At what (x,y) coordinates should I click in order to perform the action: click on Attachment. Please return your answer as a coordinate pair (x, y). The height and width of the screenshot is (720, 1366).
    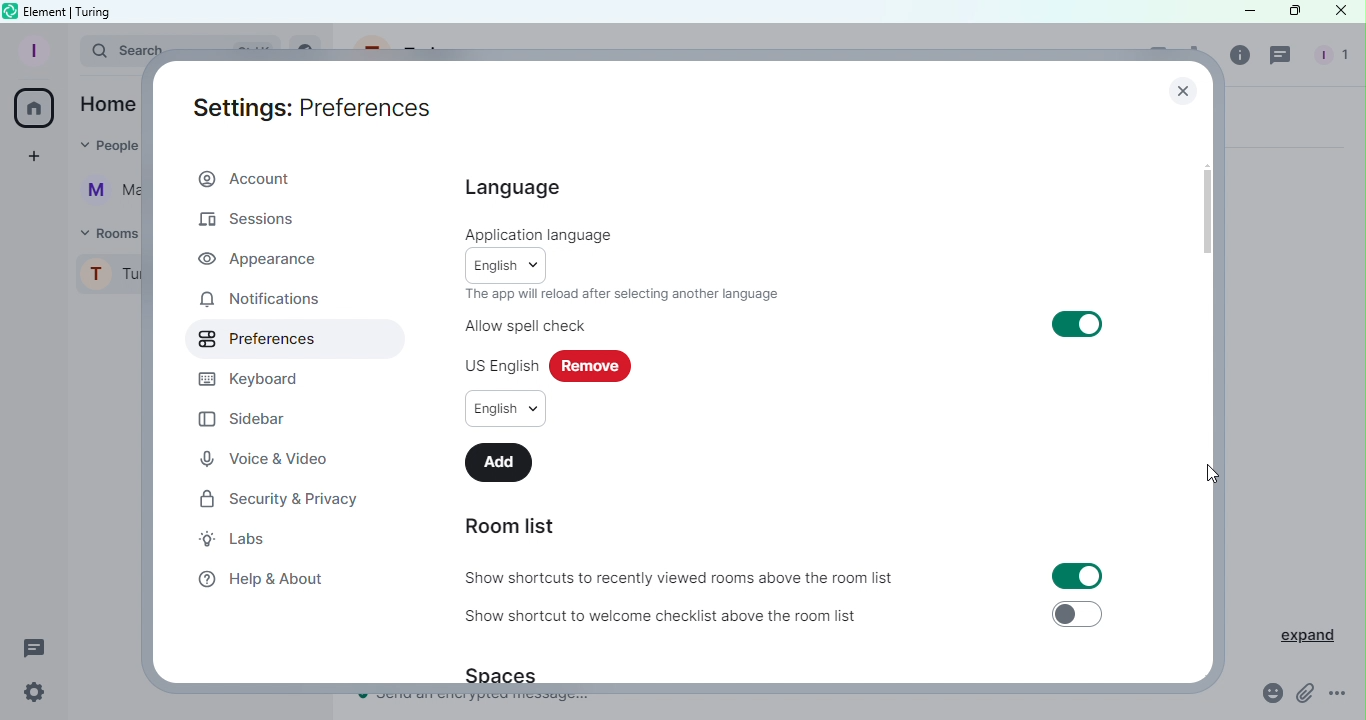
    Looking at the image, I should click on (1305, 695).